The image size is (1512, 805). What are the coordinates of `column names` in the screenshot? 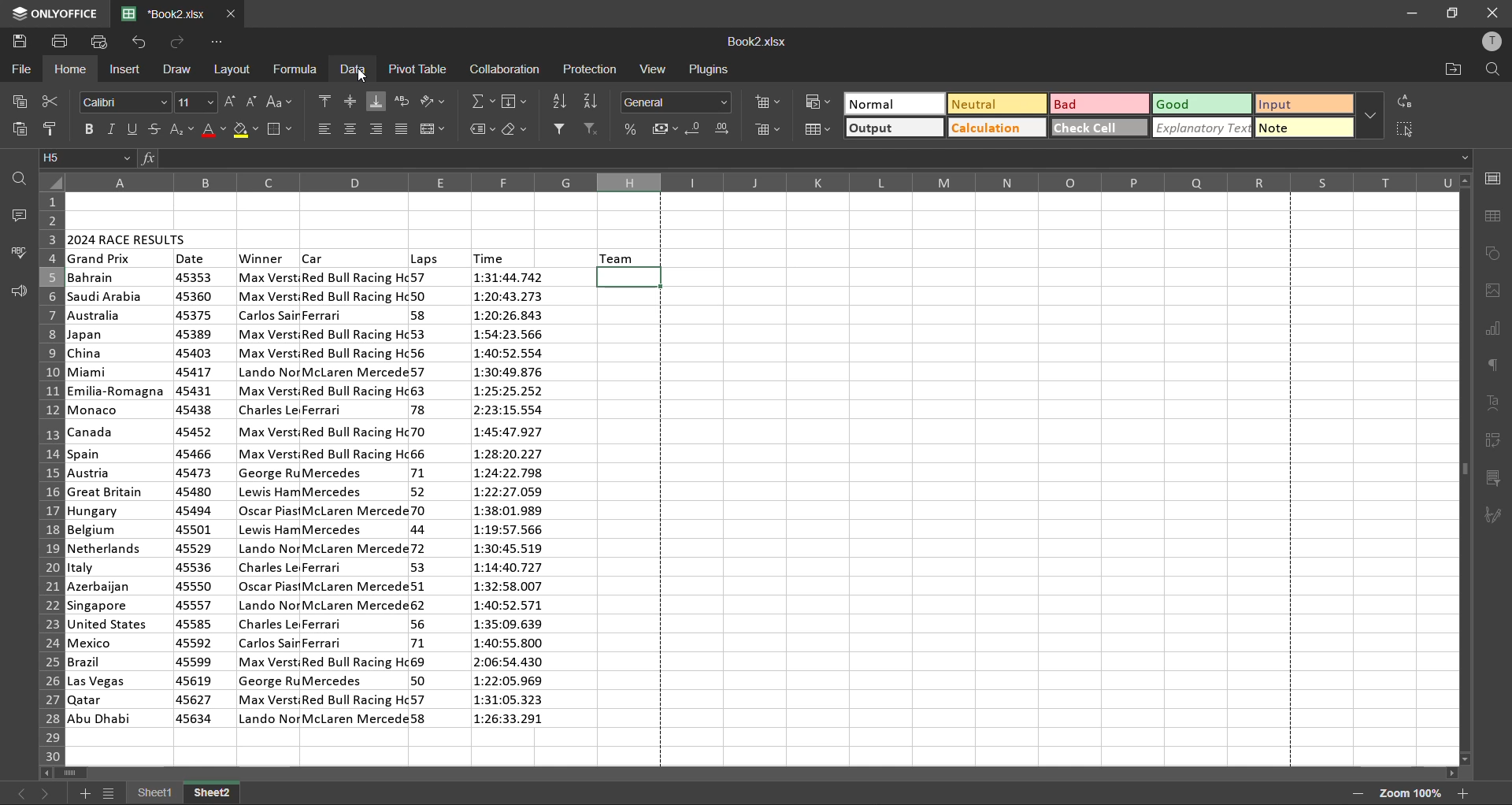 It's located at (762, 182).